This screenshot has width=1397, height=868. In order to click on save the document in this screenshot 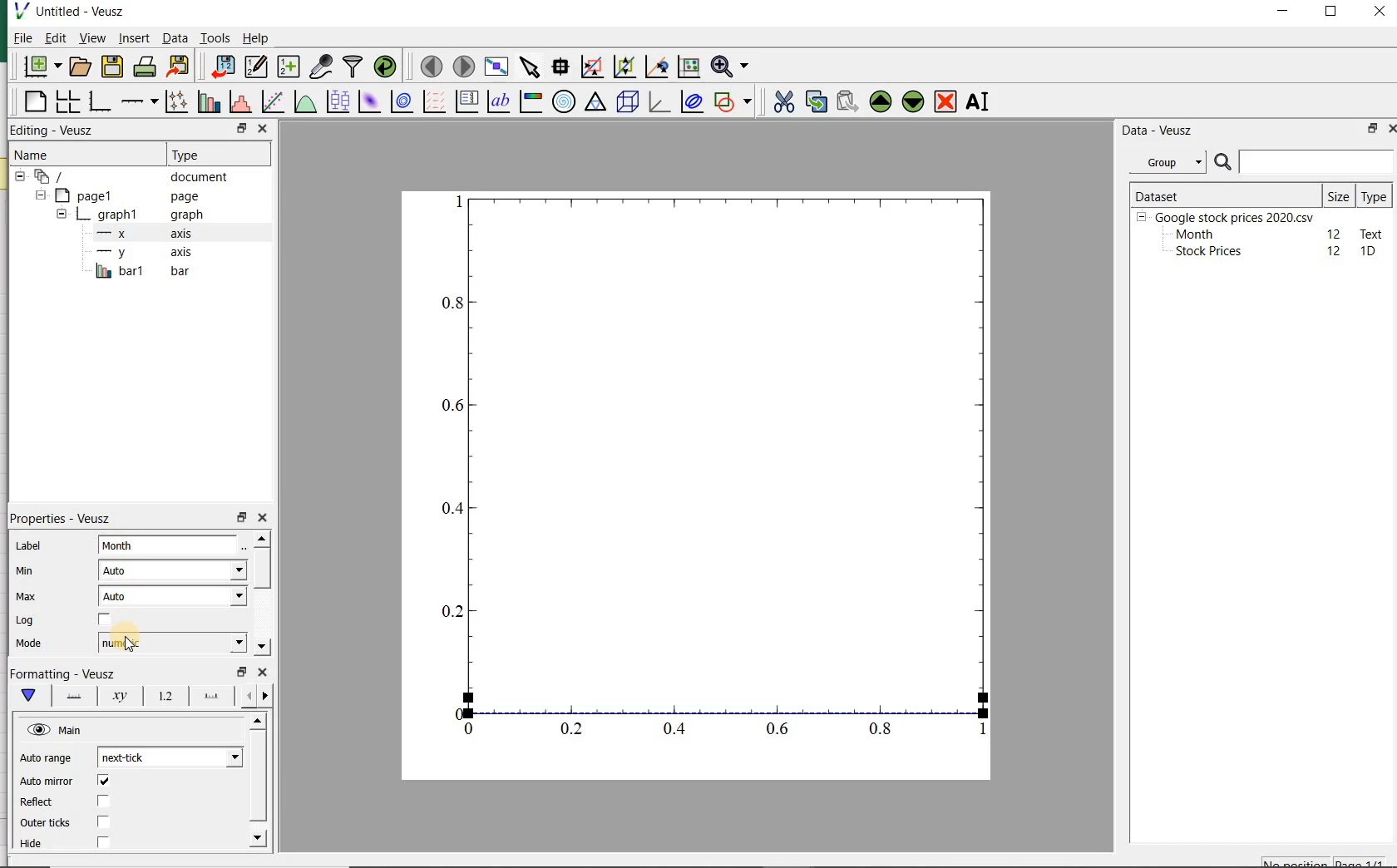, I will do `click(112, 67)`.